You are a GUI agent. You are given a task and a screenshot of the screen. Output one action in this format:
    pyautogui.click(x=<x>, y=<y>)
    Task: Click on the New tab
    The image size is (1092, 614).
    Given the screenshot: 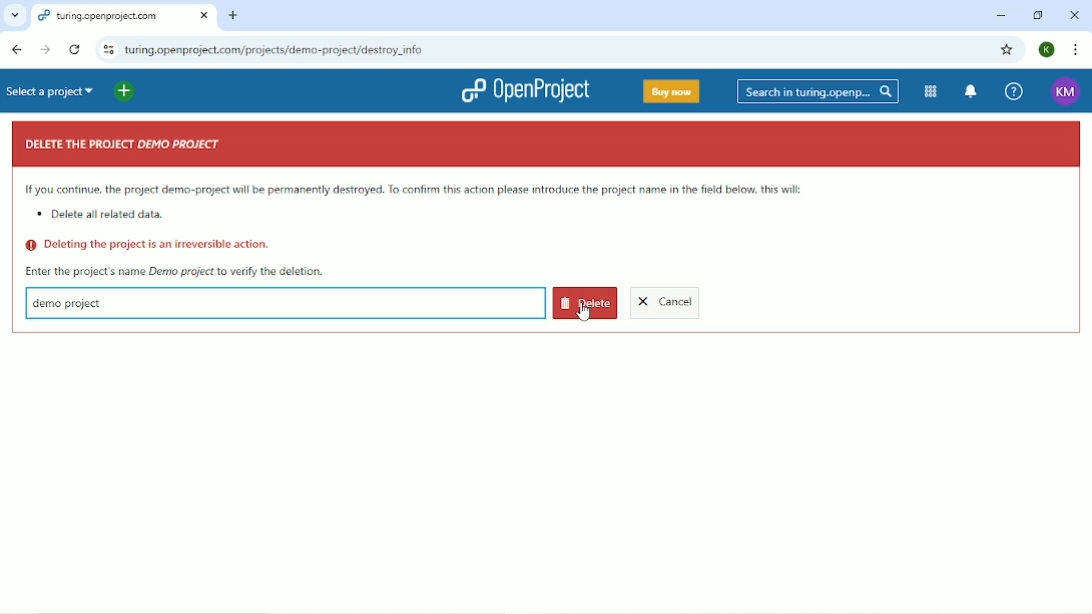 What is the action you would take?
    pyautogui.click(x=235, y=16)
    